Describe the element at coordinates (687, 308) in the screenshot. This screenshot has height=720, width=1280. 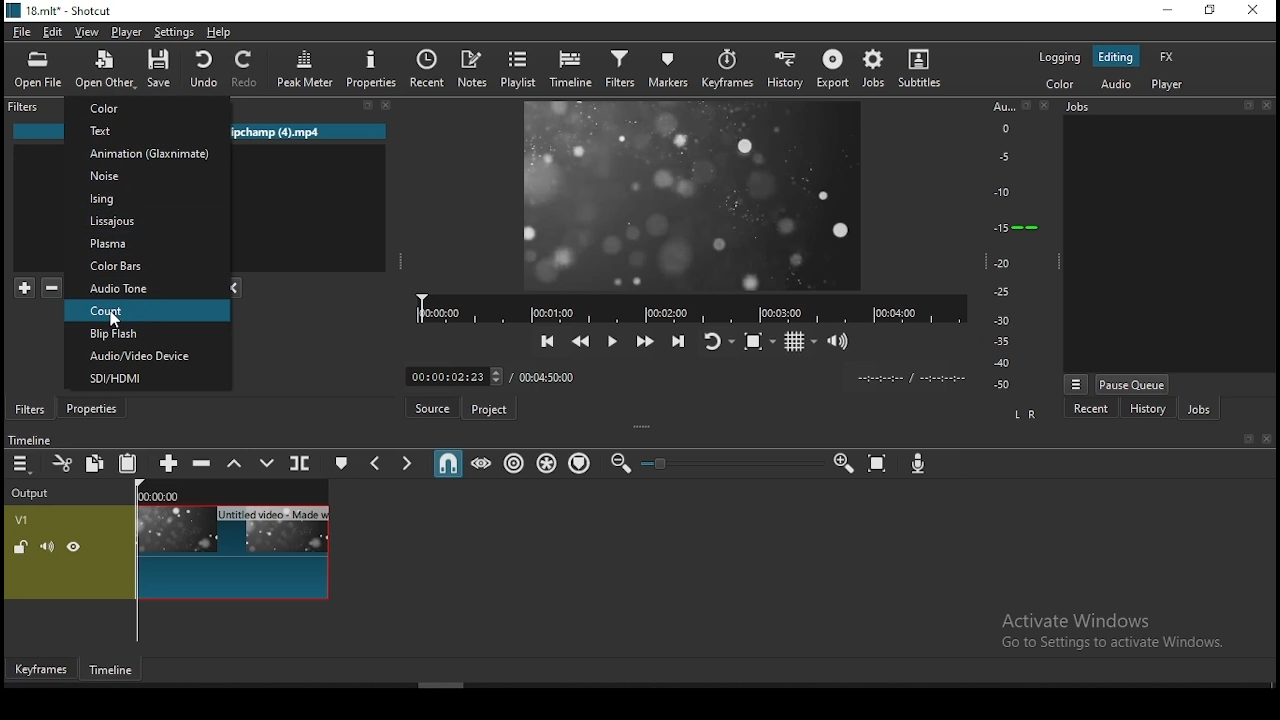
I see `video progress bar` at that location.